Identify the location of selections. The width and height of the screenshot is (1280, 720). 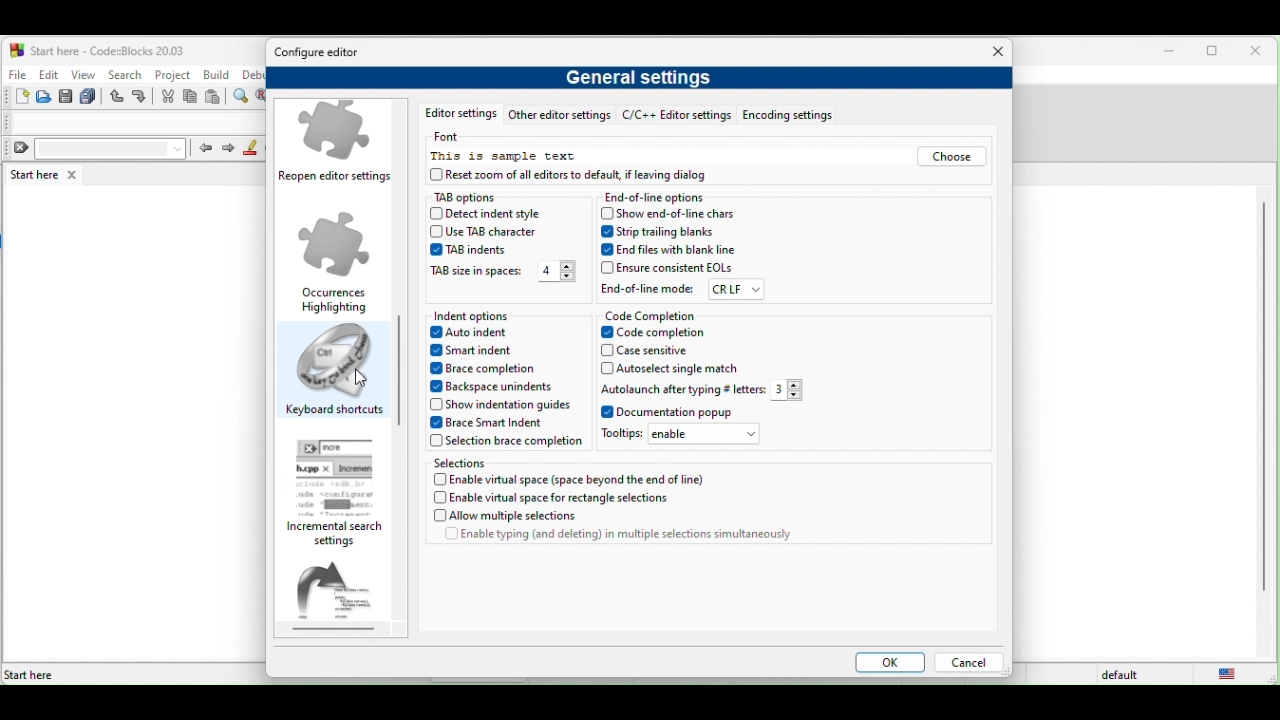
(496, 462).